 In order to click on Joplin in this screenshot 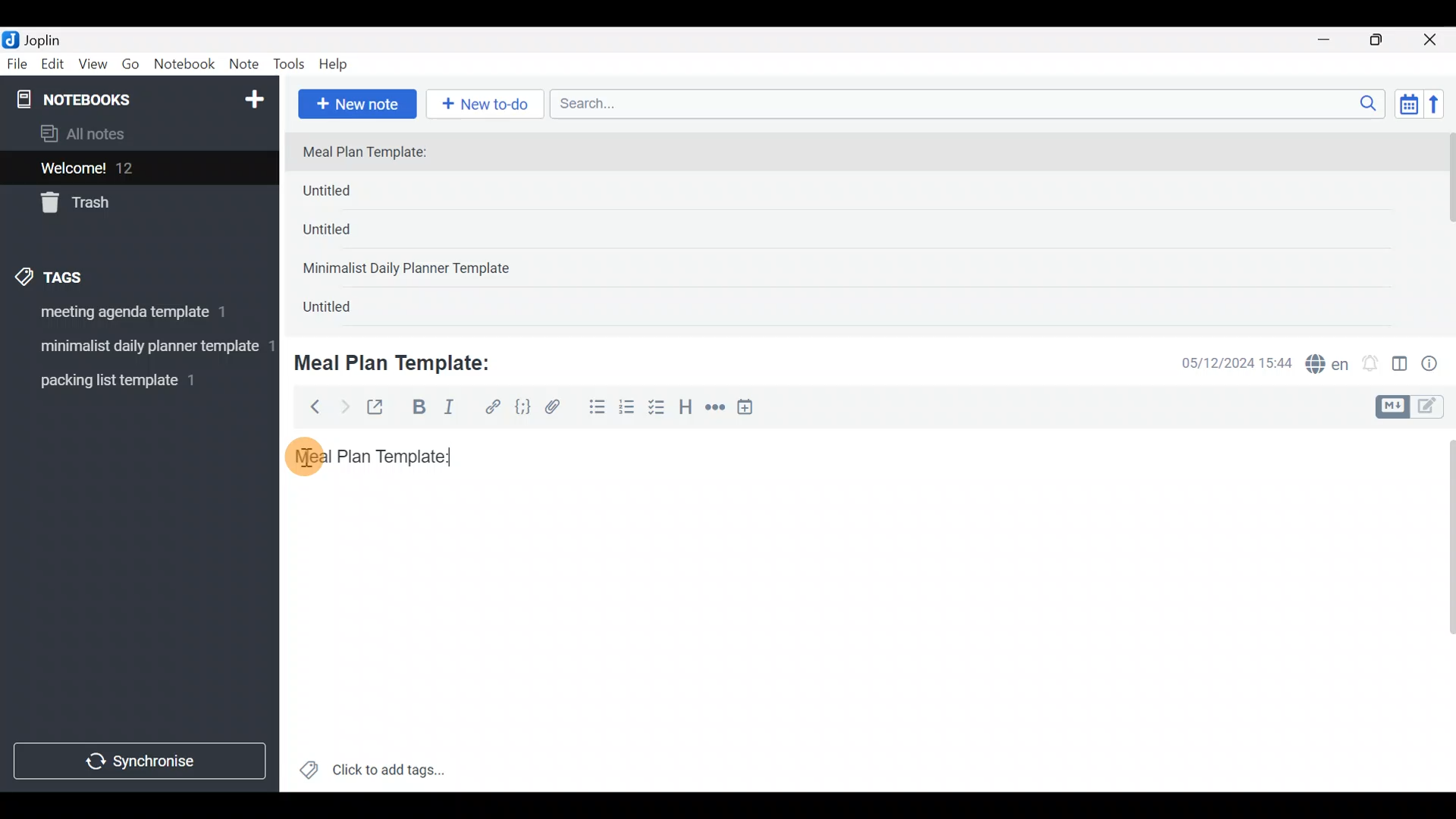, I will do `click(52, 38)`.